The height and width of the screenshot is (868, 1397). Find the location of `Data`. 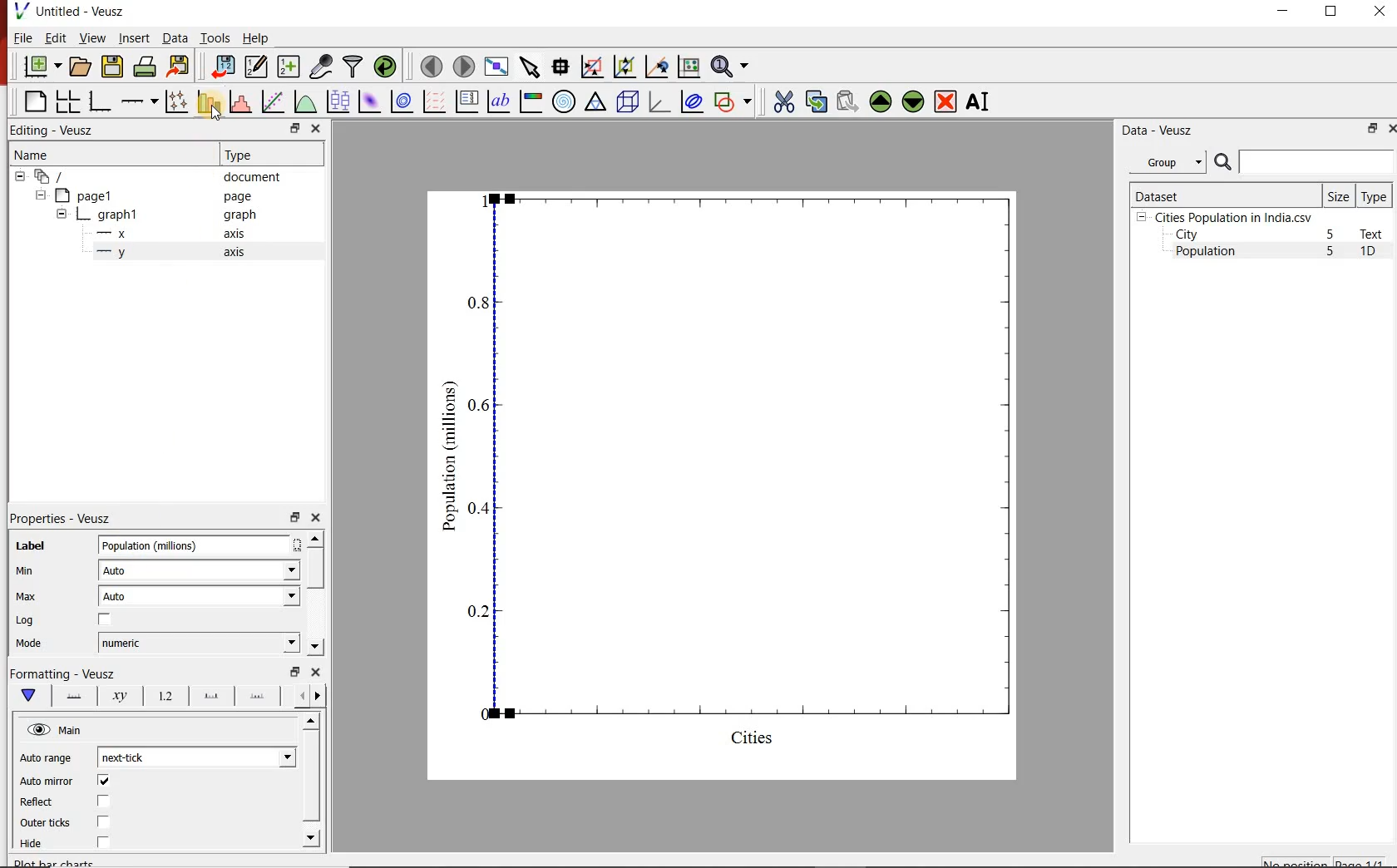

Data is located at coordinates (175, 39).